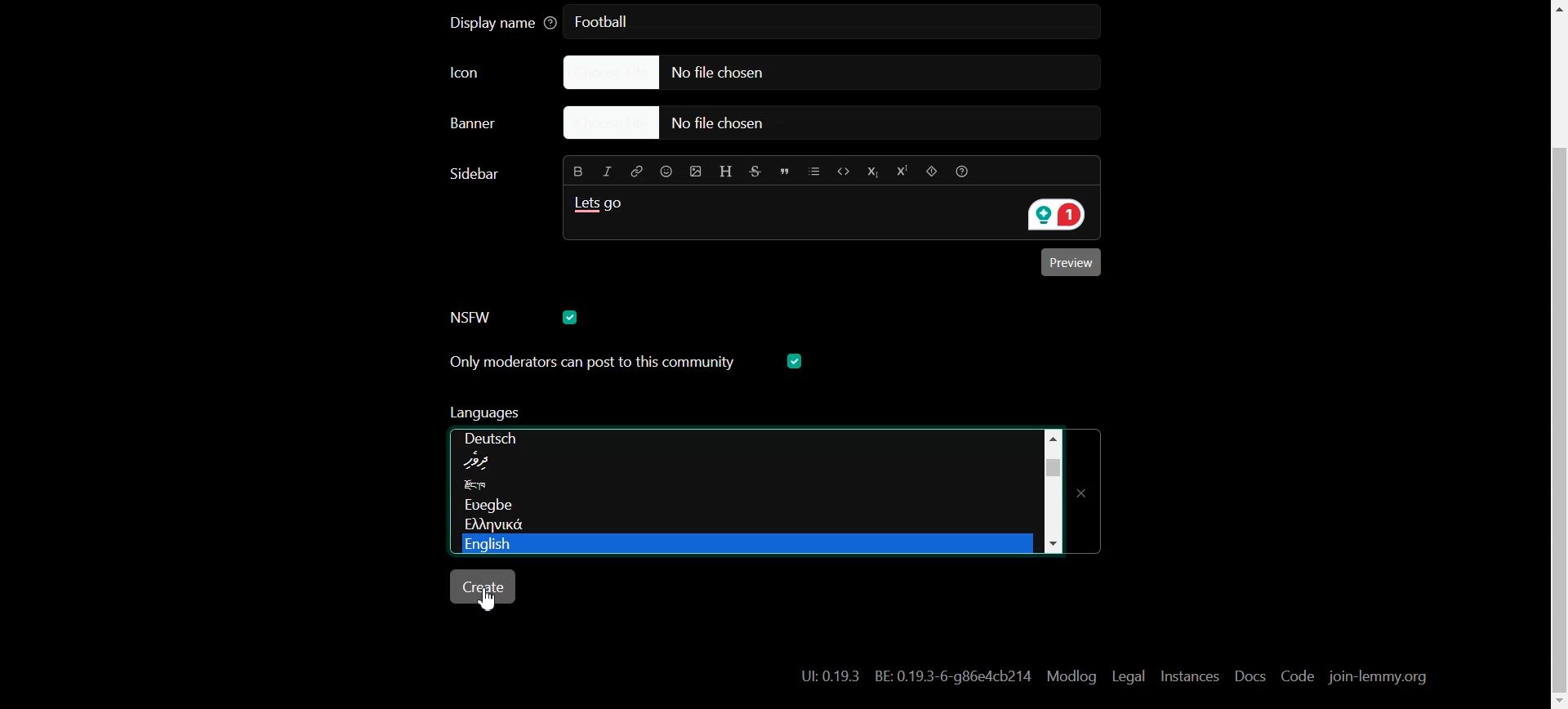 The height and width of the screenshot is (709, 1568). I want to click on Italic, so click(608, 170).